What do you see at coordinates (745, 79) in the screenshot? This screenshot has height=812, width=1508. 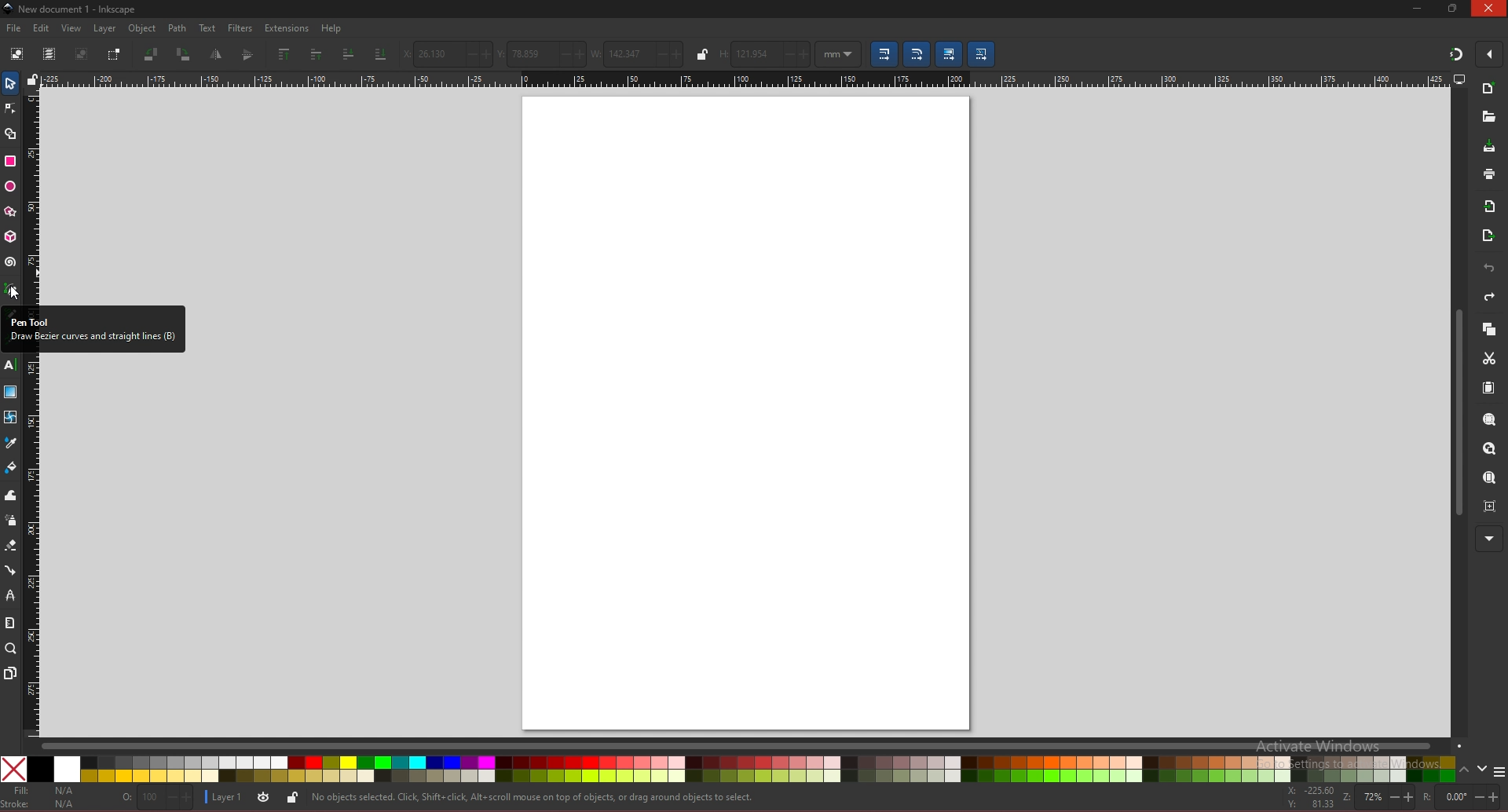 I see `horizontal rule` at bounding box center [745, 79].